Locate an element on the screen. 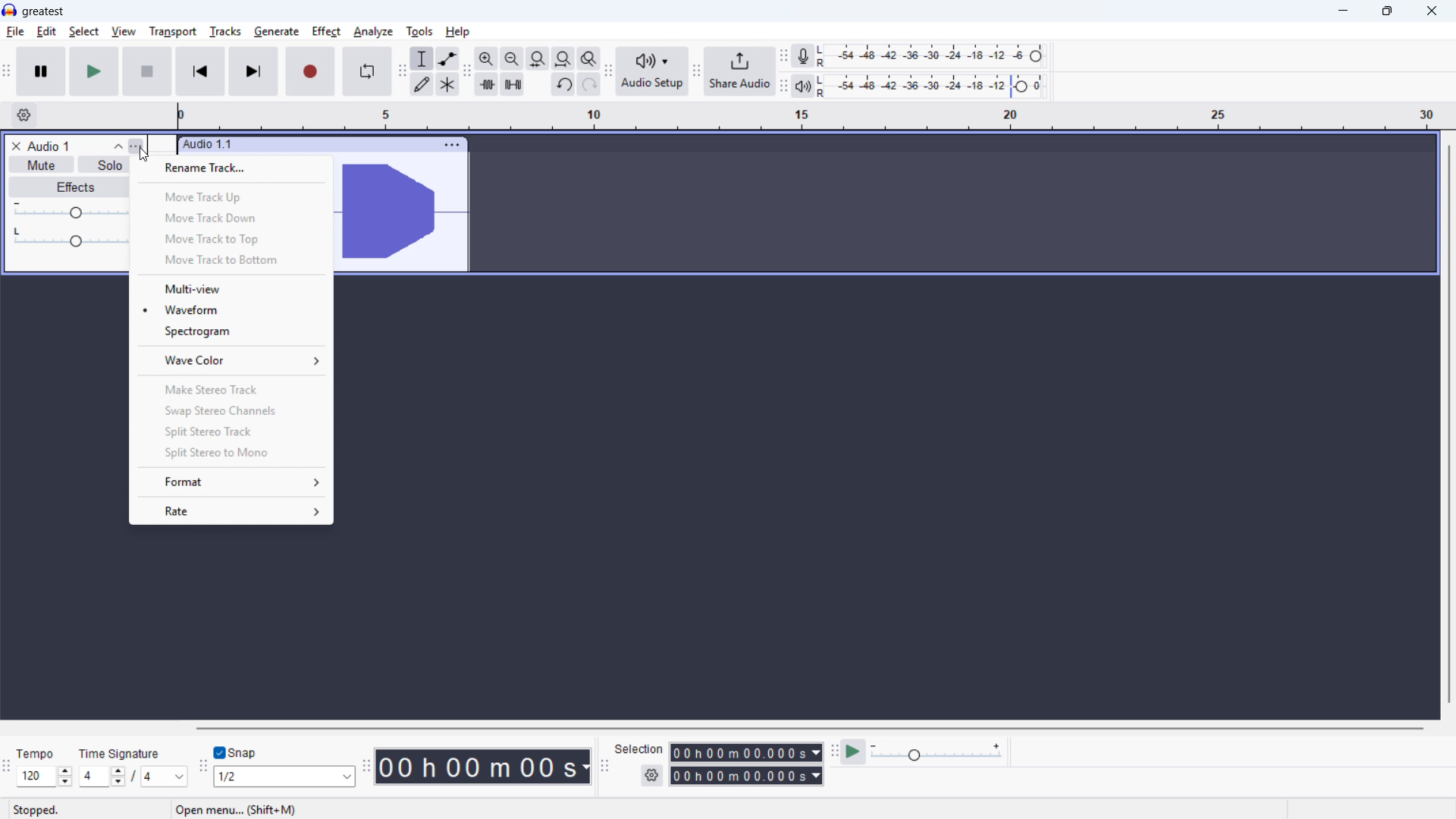  Set tempo  is located at coordinates (44, 778).